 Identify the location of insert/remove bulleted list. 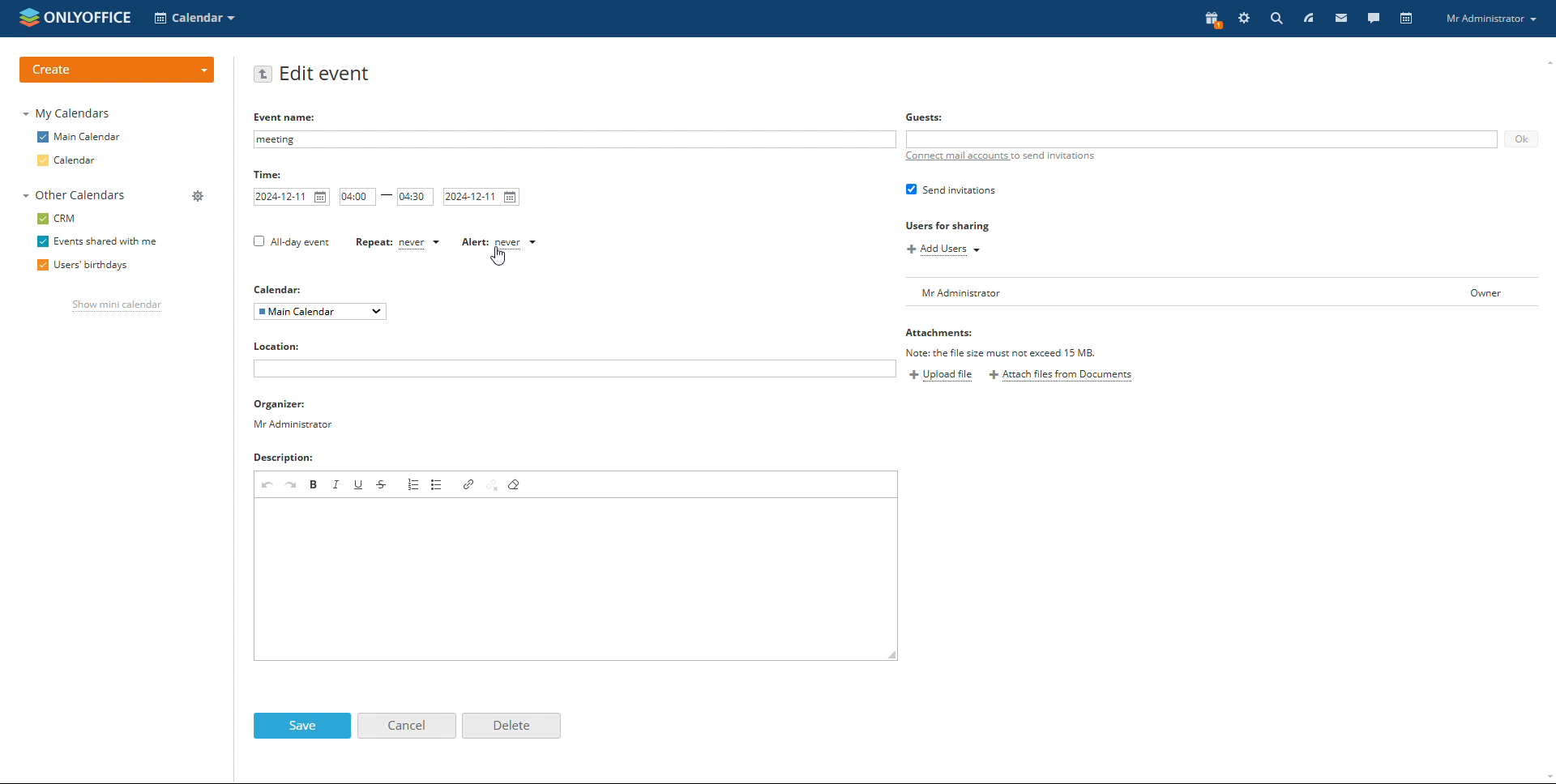
(438, 484).